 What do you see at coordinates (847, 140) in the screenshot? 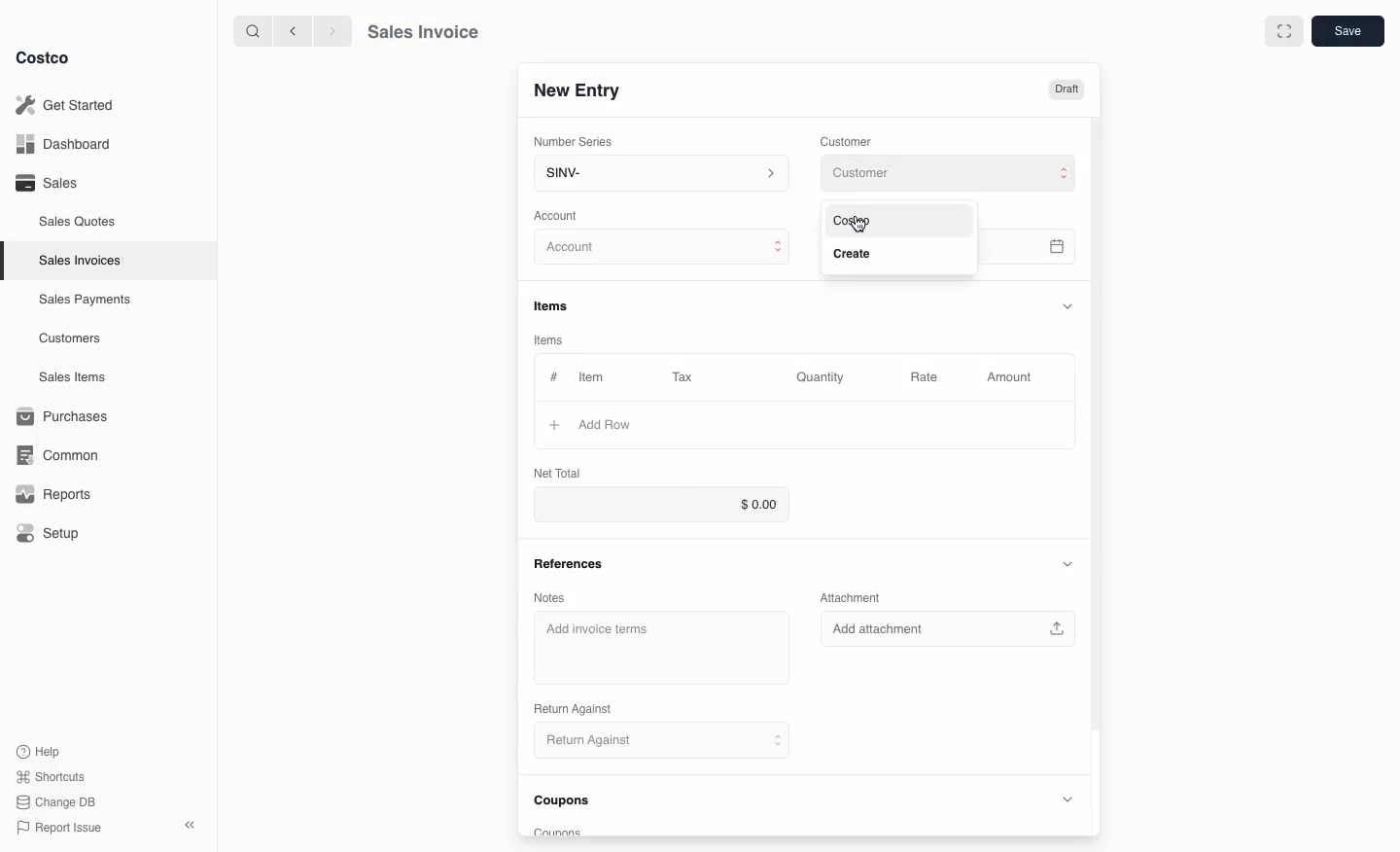
I see `Customer` at bounding box center [847, 140].